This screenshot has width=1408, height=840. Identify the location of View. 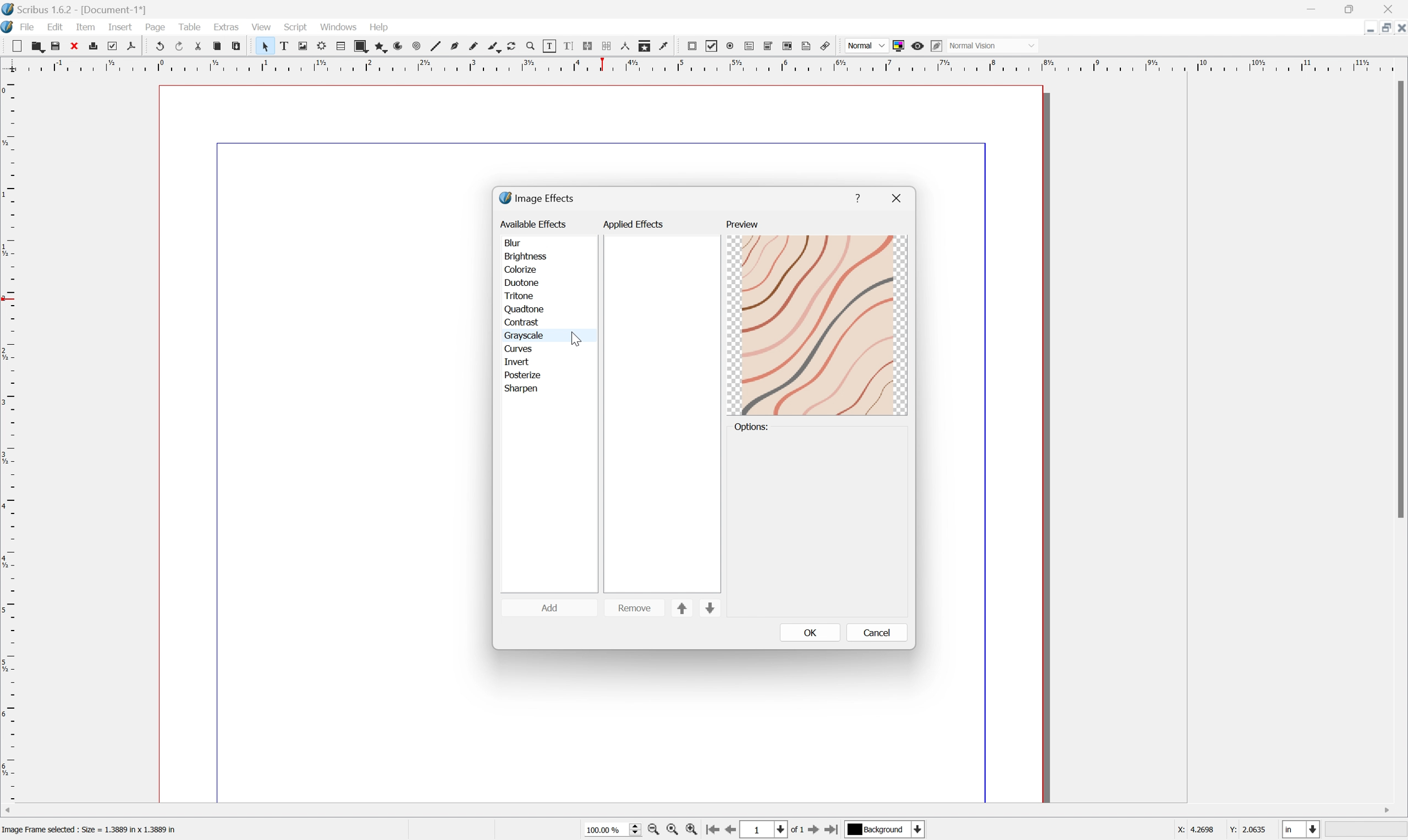
(260, 28).